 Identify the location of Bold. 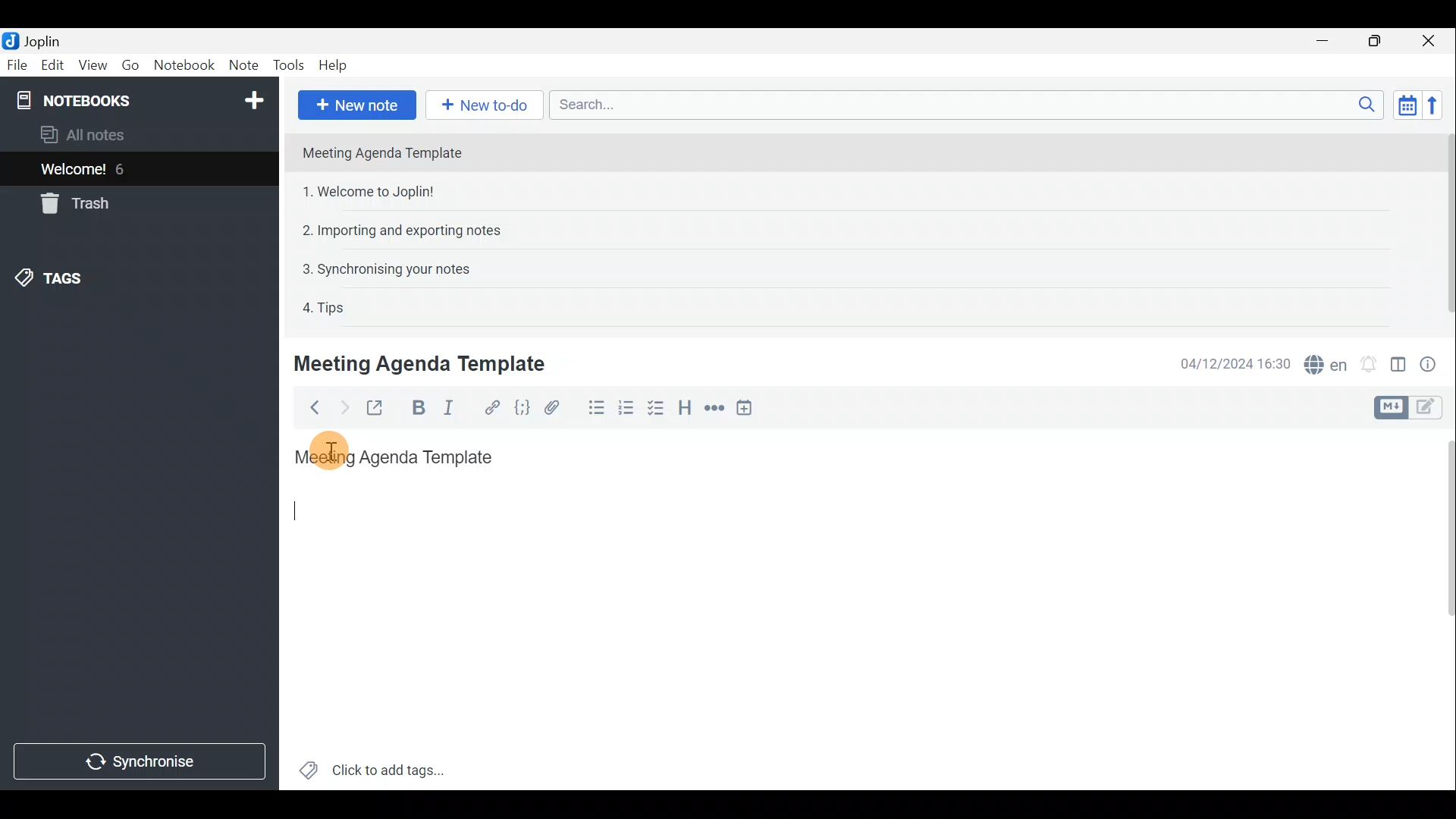
(417, 409).